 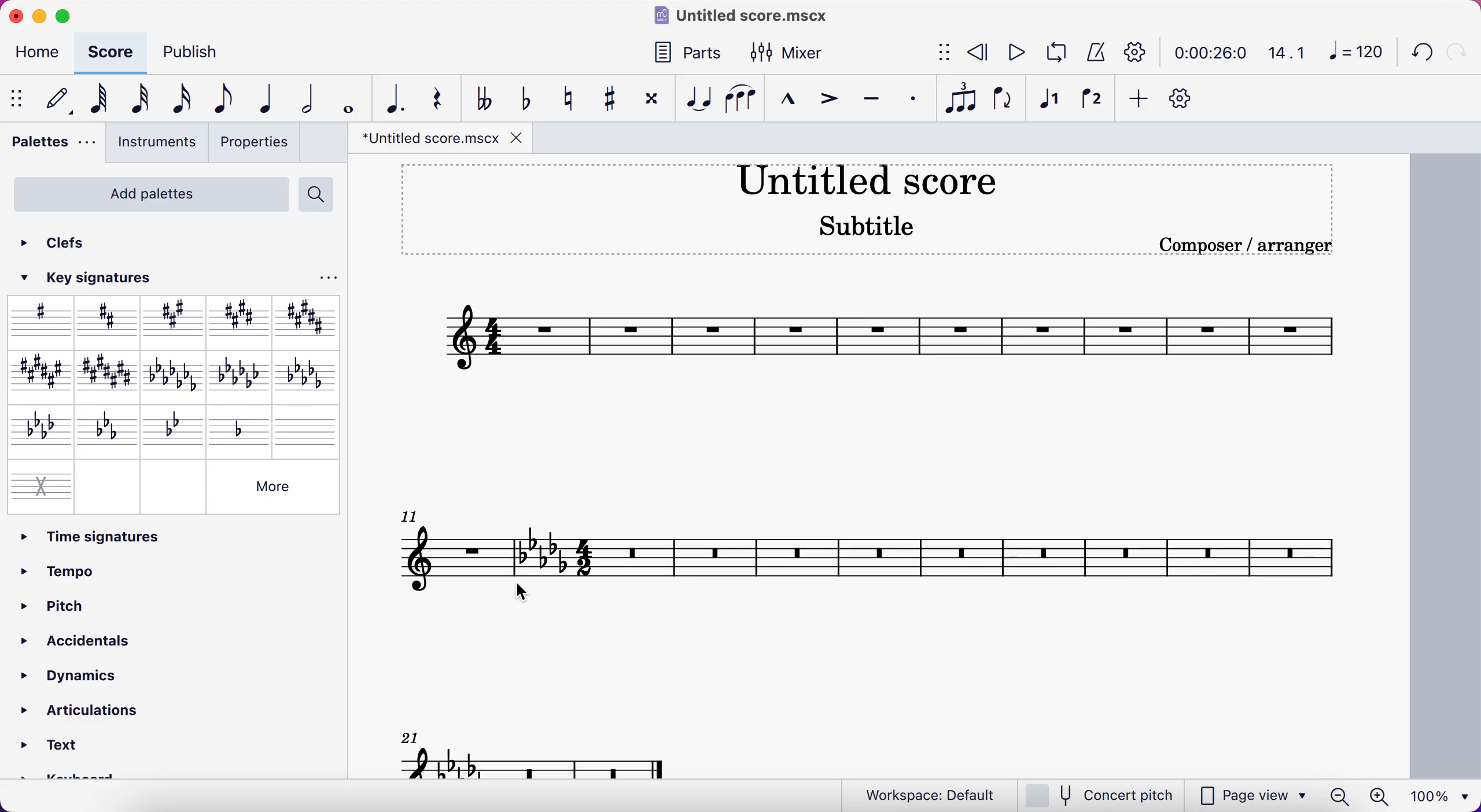 I want to click on play, so click(x=1012, y=51).